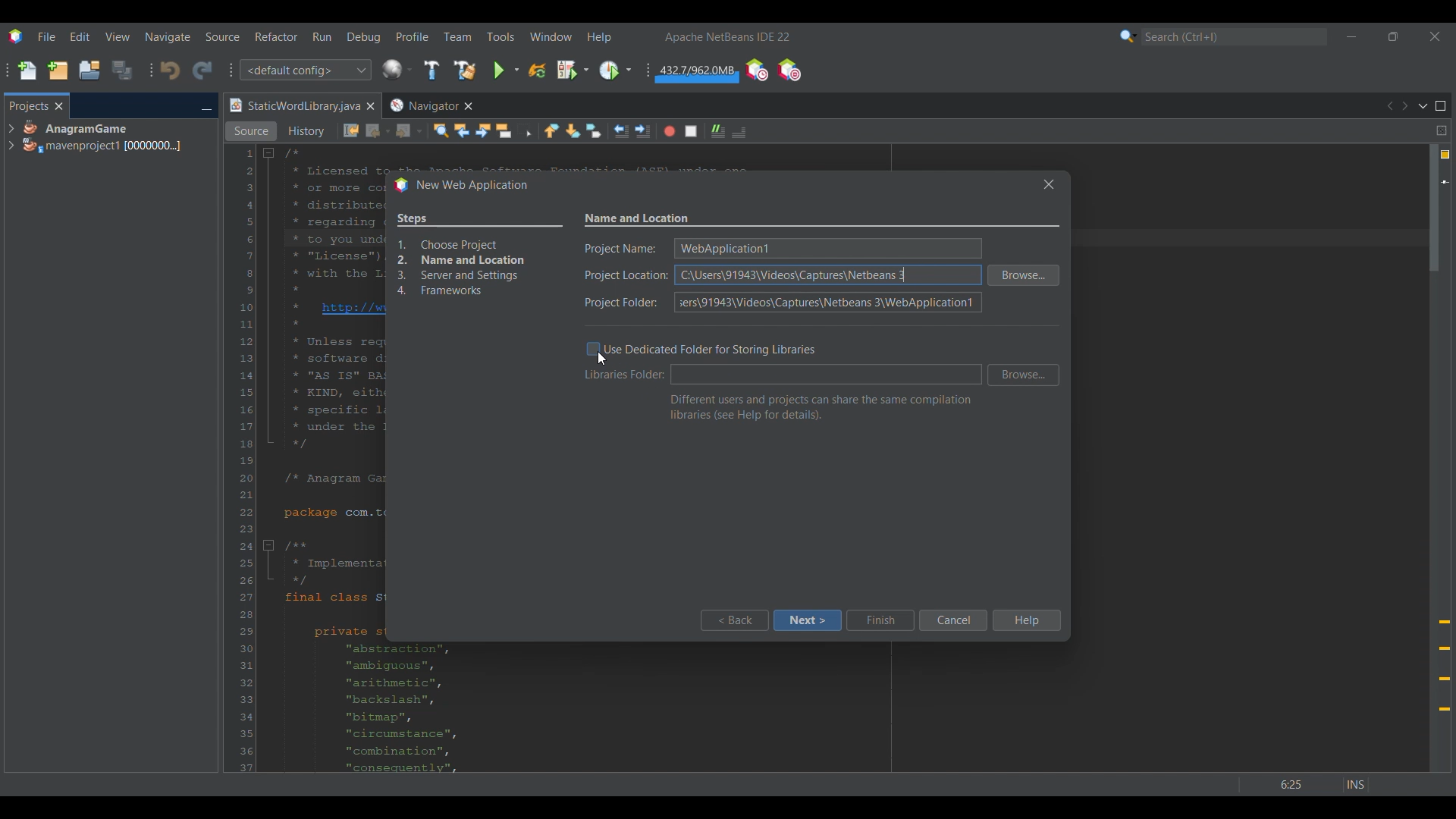 Image resolution: width=1456 pixels, height=819 pixels. Describe the element at coordinates (880, 620) in the screenshot. I see `Finish` at that location.